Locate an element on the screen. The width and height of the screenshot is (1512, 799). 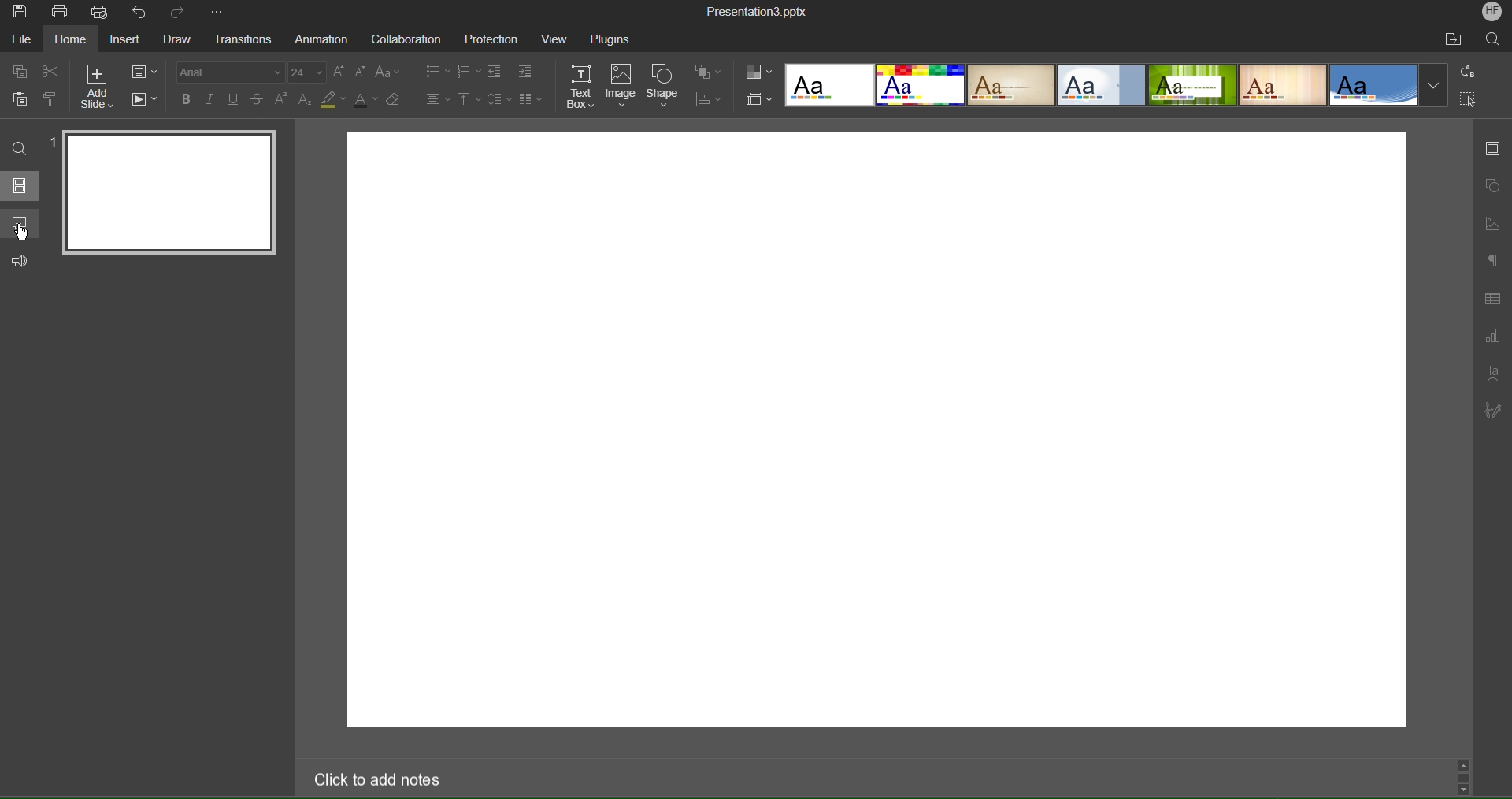
Distribute is located at coordinates (706, 100).